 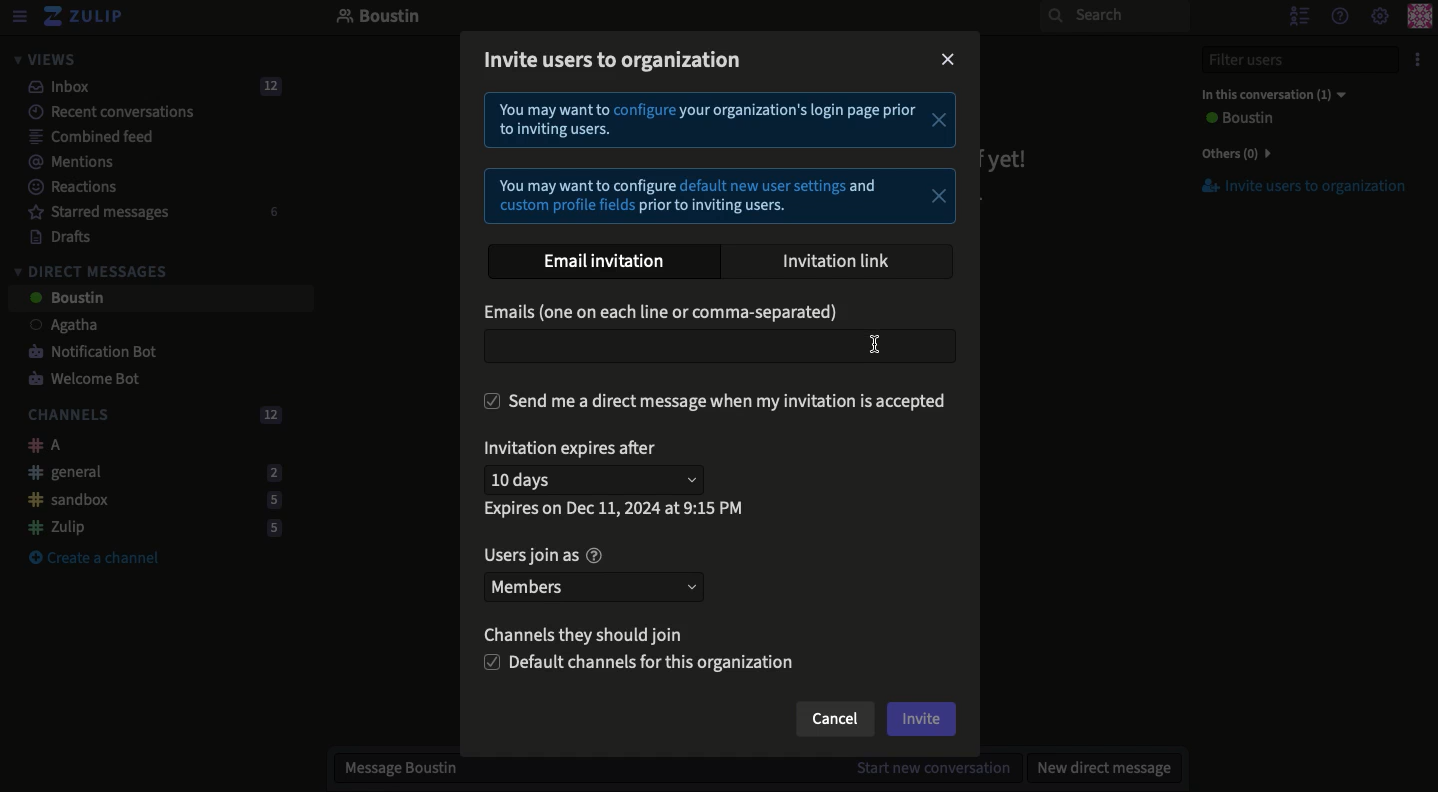 What do you see at coordinates (881, 345) in the screenshot?
I see `cursor` at bounding box center [881, 345].